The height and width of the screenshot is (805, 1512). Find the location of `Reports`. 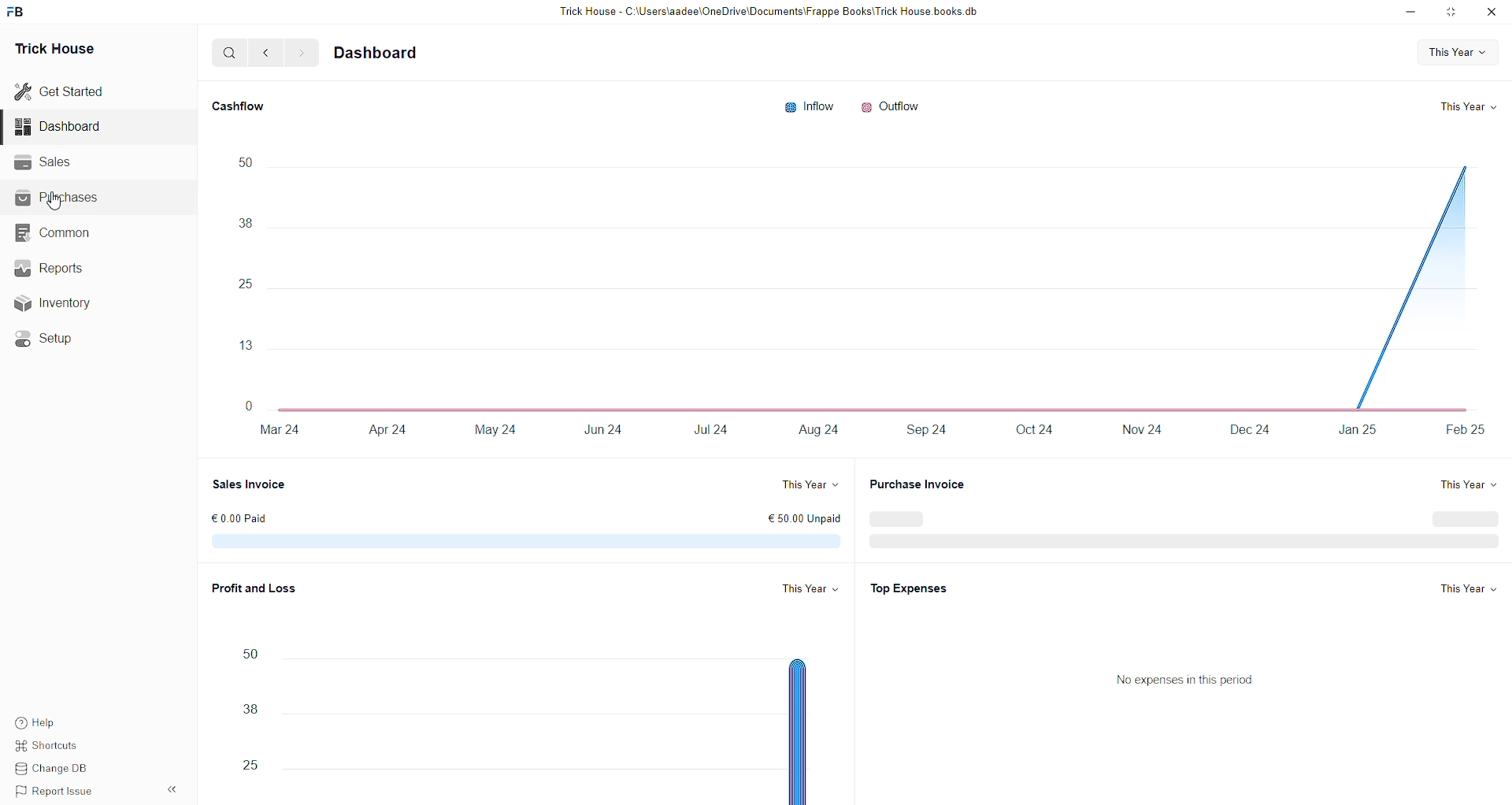

Reports is located at coordinates (49, 266).